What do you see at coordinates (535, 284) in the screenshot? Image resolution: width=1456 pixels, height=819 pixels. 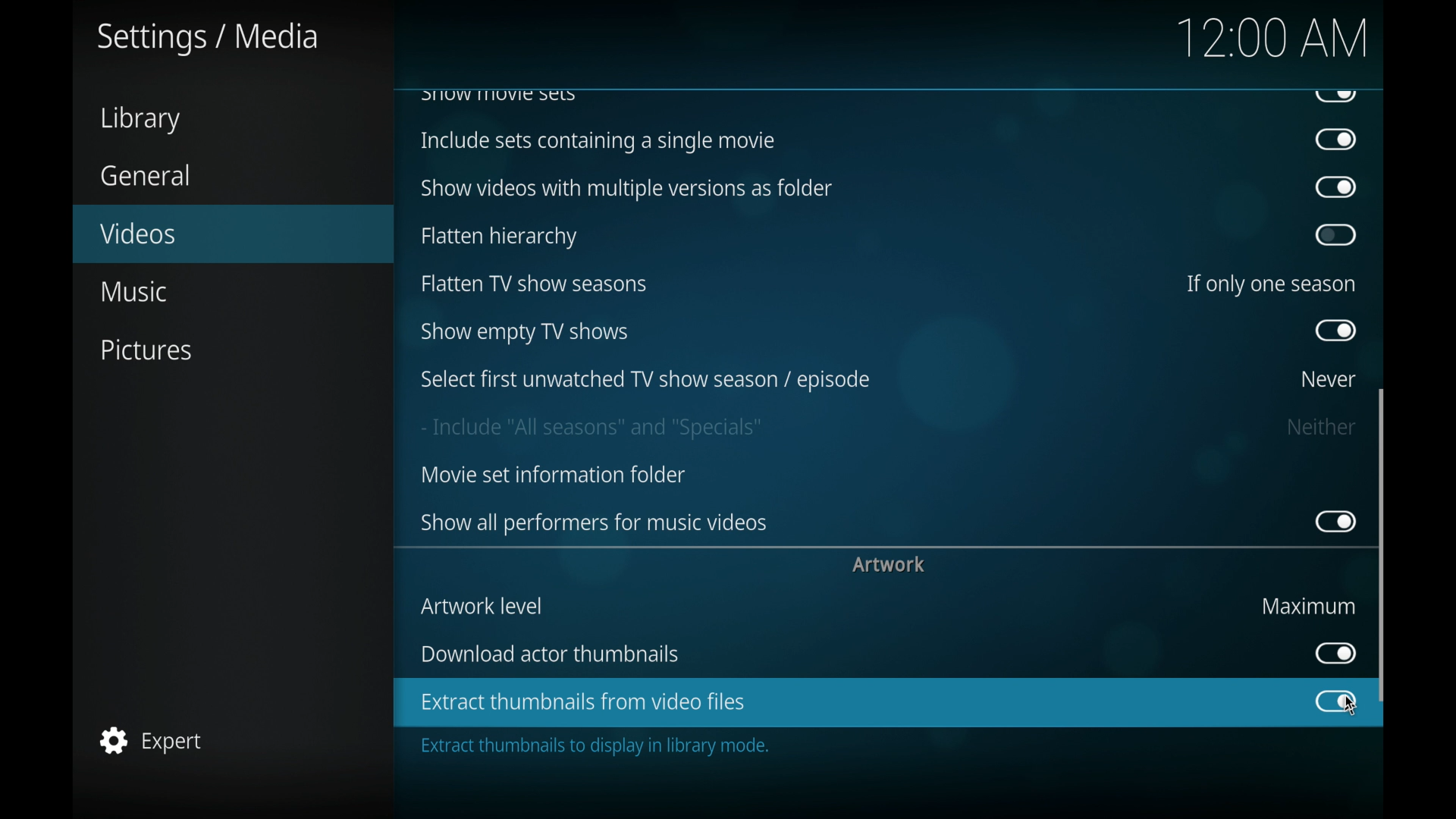 I see `flatten tv show seasons` at bounding box center [535, 284].